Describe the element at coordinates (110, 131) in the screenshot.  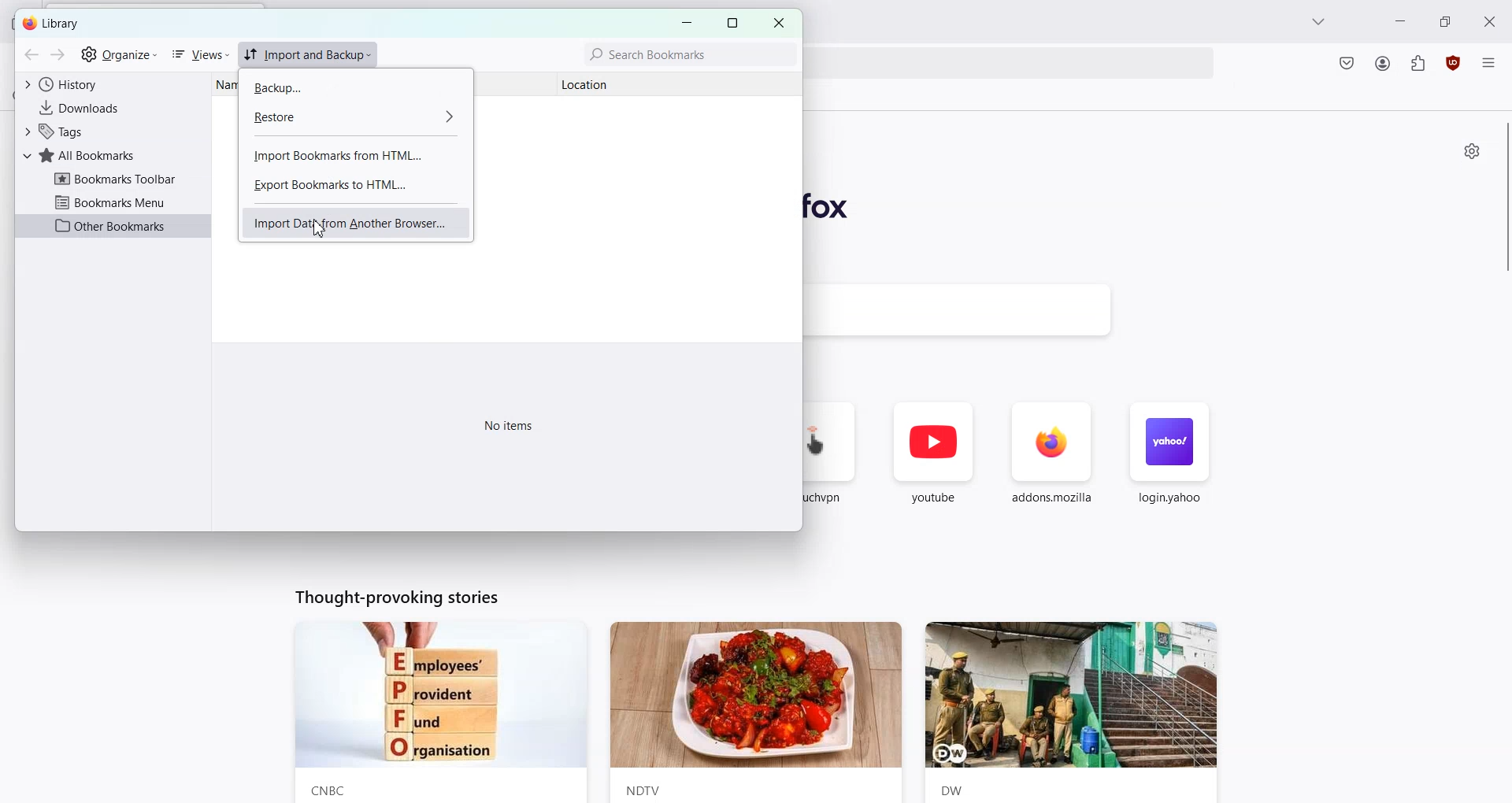
I see `Tags` at that location.